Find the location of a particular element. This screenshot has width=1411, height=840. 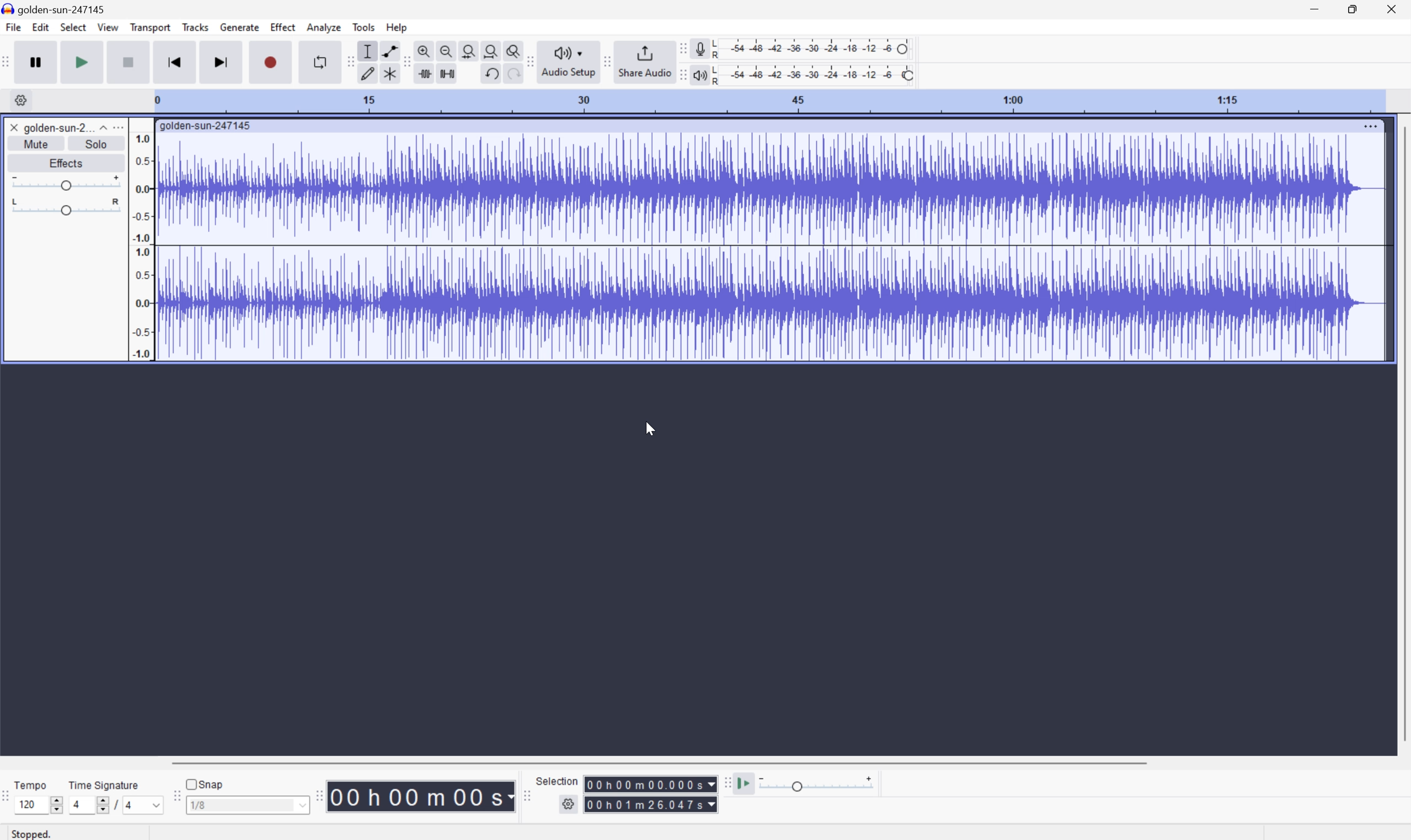

Fit selection to width is located at coordinates (469, 49).